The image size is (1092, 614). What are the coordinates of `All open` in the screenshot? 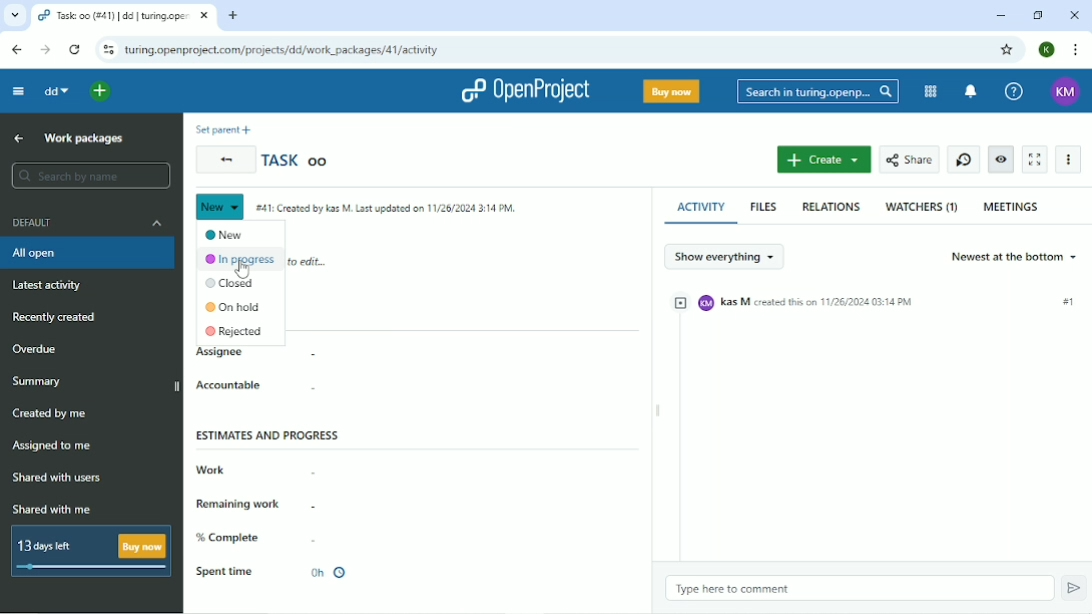 It's located at (87, 254).